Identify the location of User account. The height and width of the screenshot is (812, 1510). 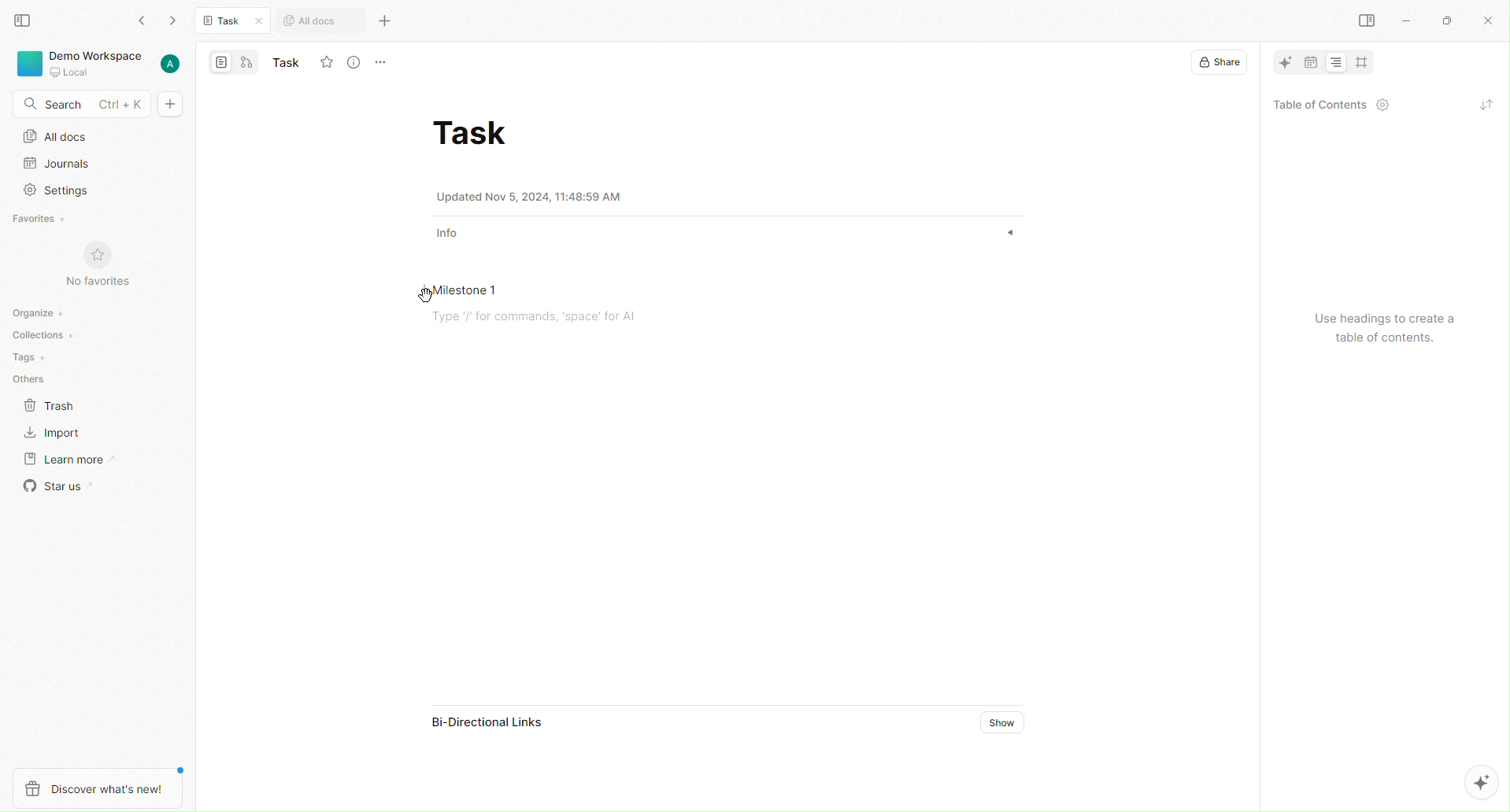
(172, 64).